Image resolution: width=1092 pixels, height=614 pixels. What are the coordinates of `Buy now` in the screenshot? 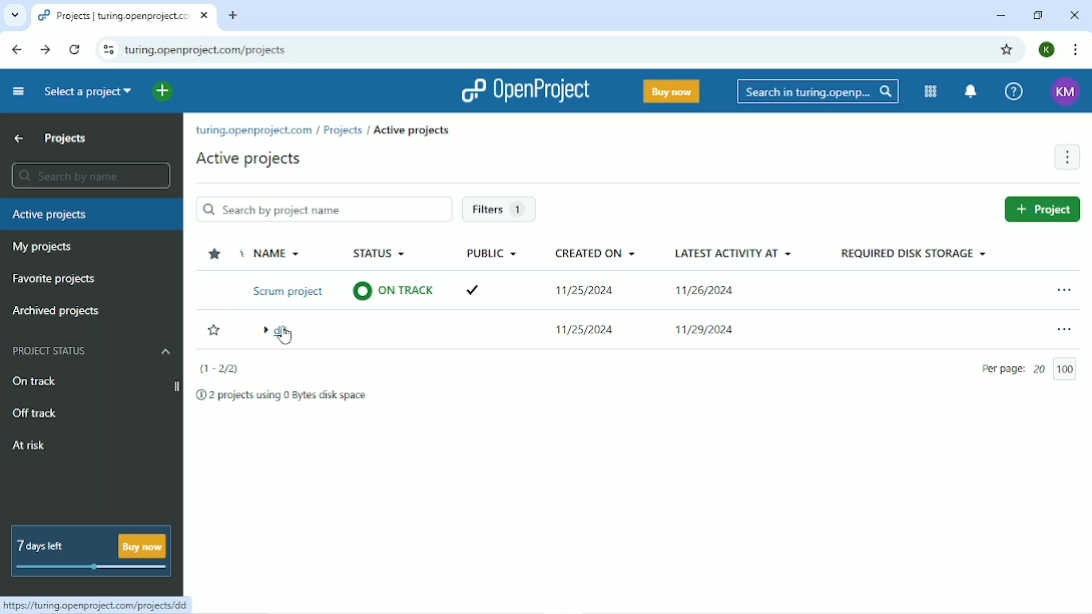 It's located at (670, 92).